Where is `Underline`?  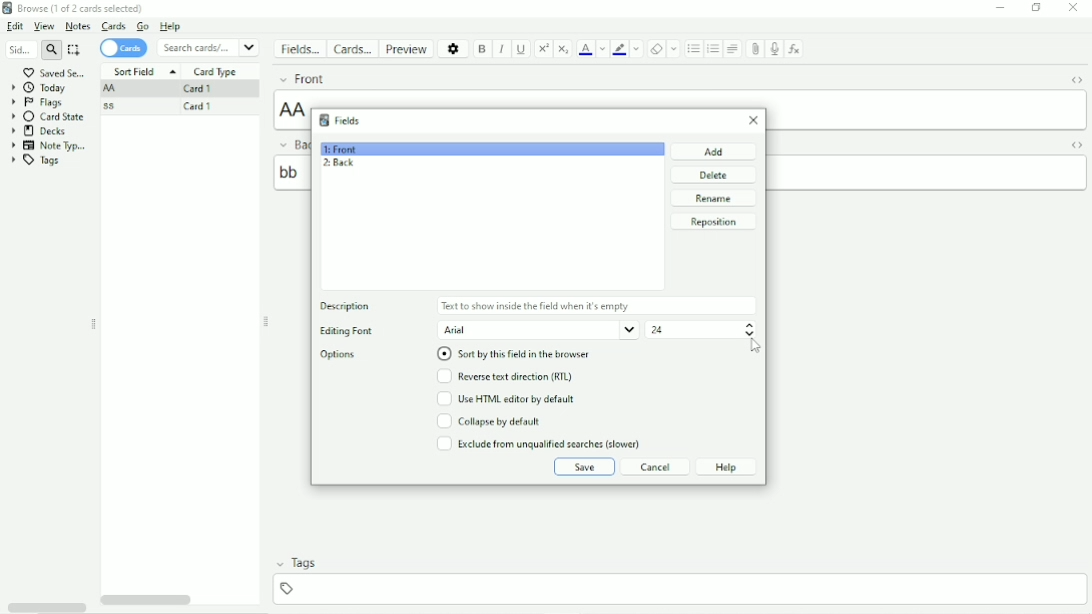 Underline is located at coordinates (522, 50).